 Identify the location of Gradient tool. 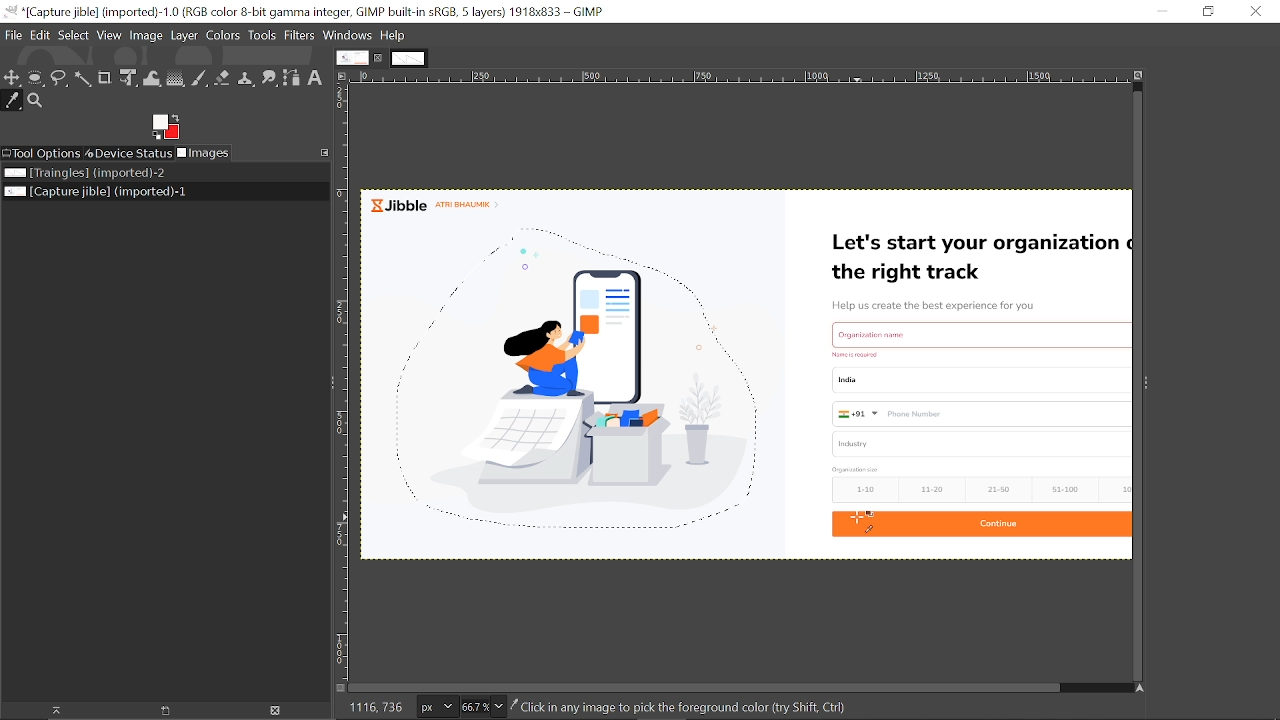
(176, 78).